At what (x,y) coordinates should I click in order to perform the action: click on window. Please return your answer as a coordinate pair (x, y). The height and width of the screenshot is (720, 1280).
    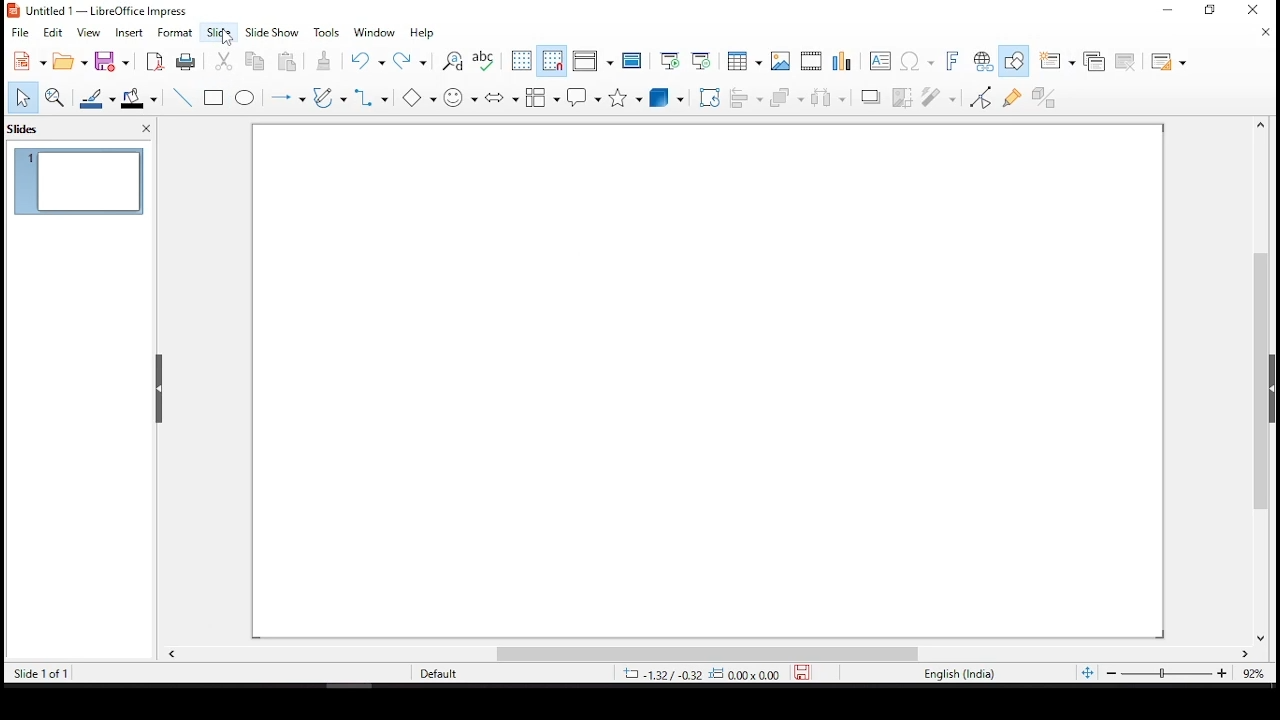
    Looking at the image, I should click on (371, 32).